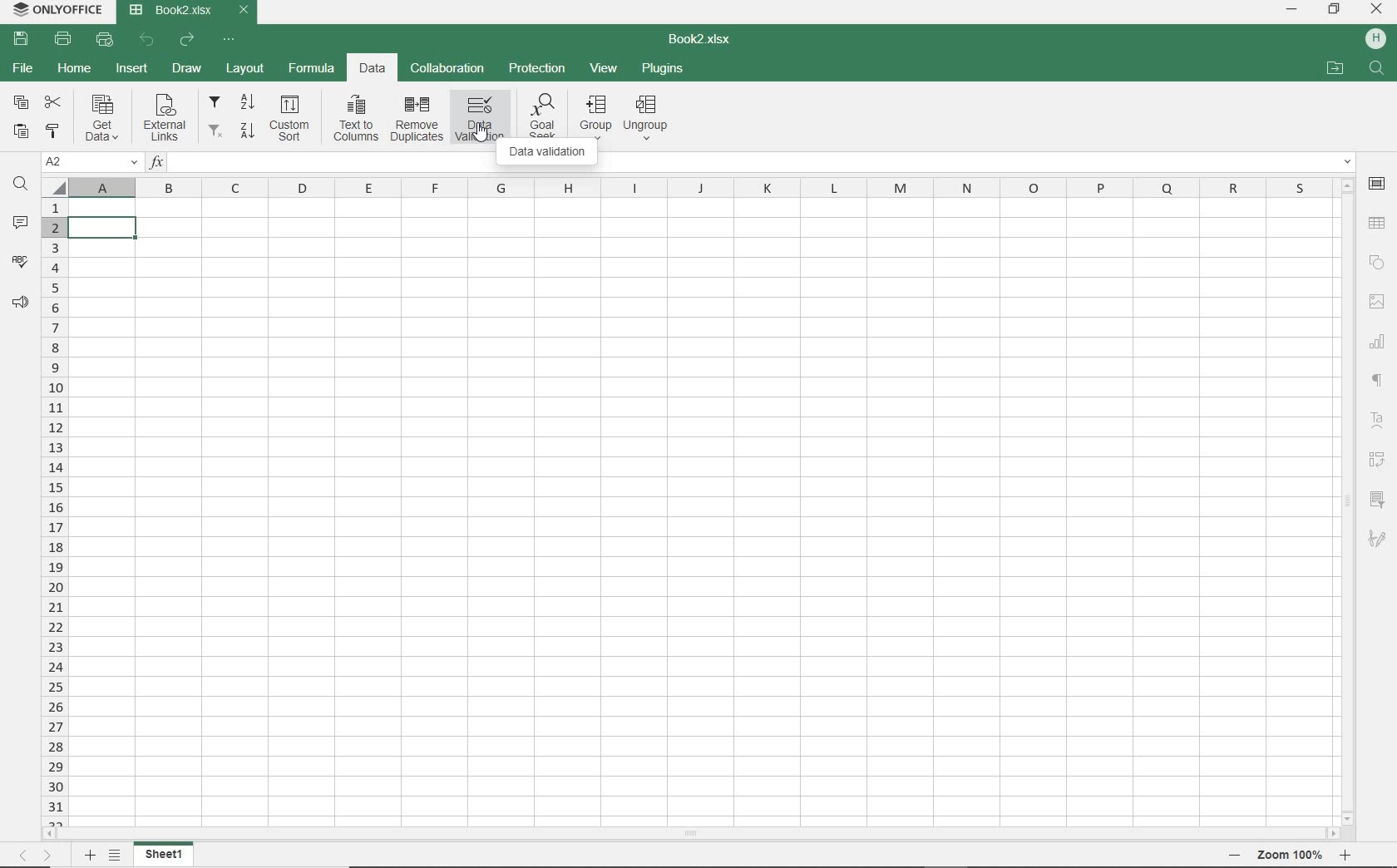 This screenshot has height=868, width=1397. Describe the element at coordinates (53, 103) in the screenshot. I see `CUT` at that location.